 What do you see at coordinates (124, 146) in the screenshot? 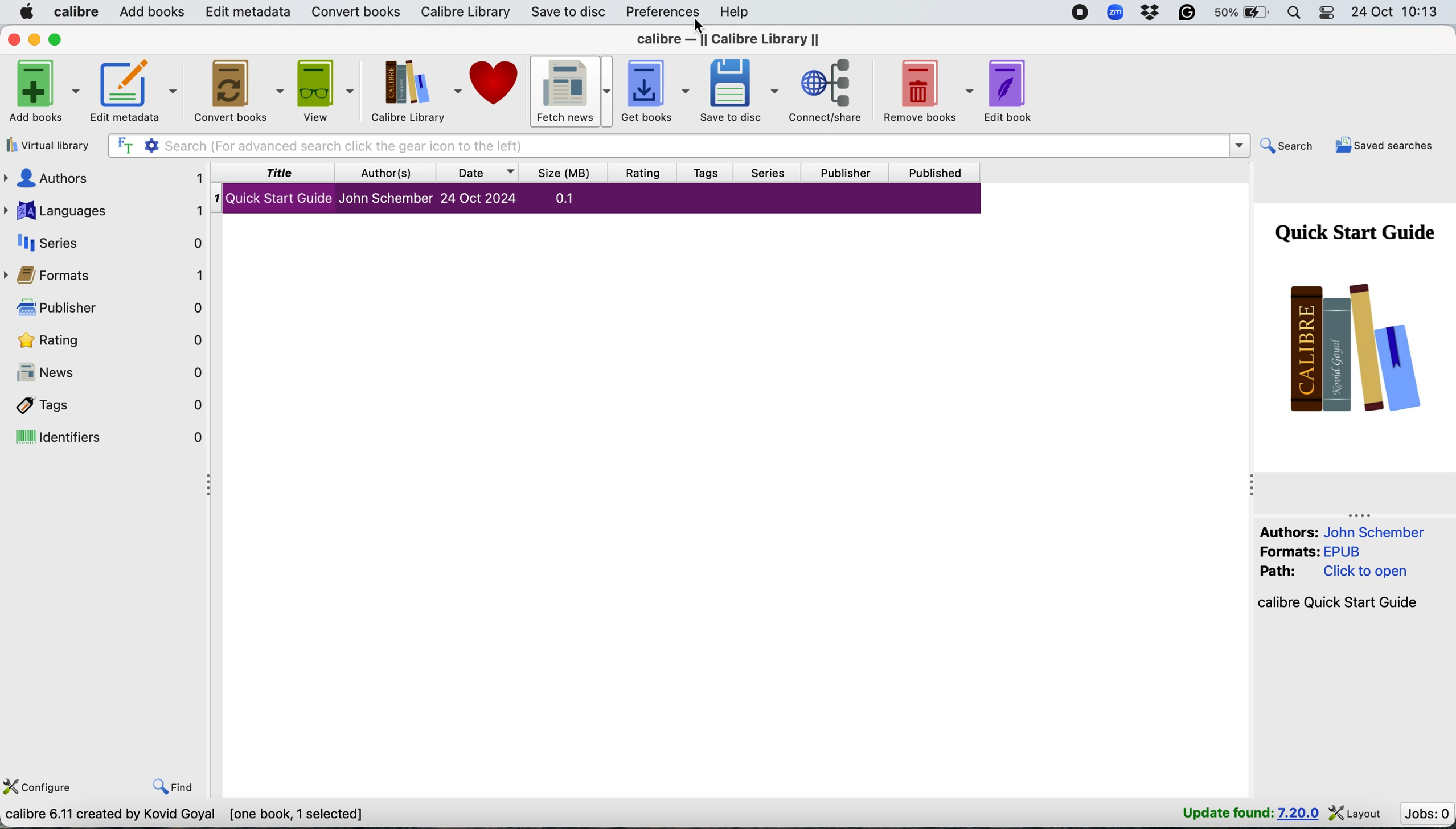
I see `full text` at bounding box center [124, 146].